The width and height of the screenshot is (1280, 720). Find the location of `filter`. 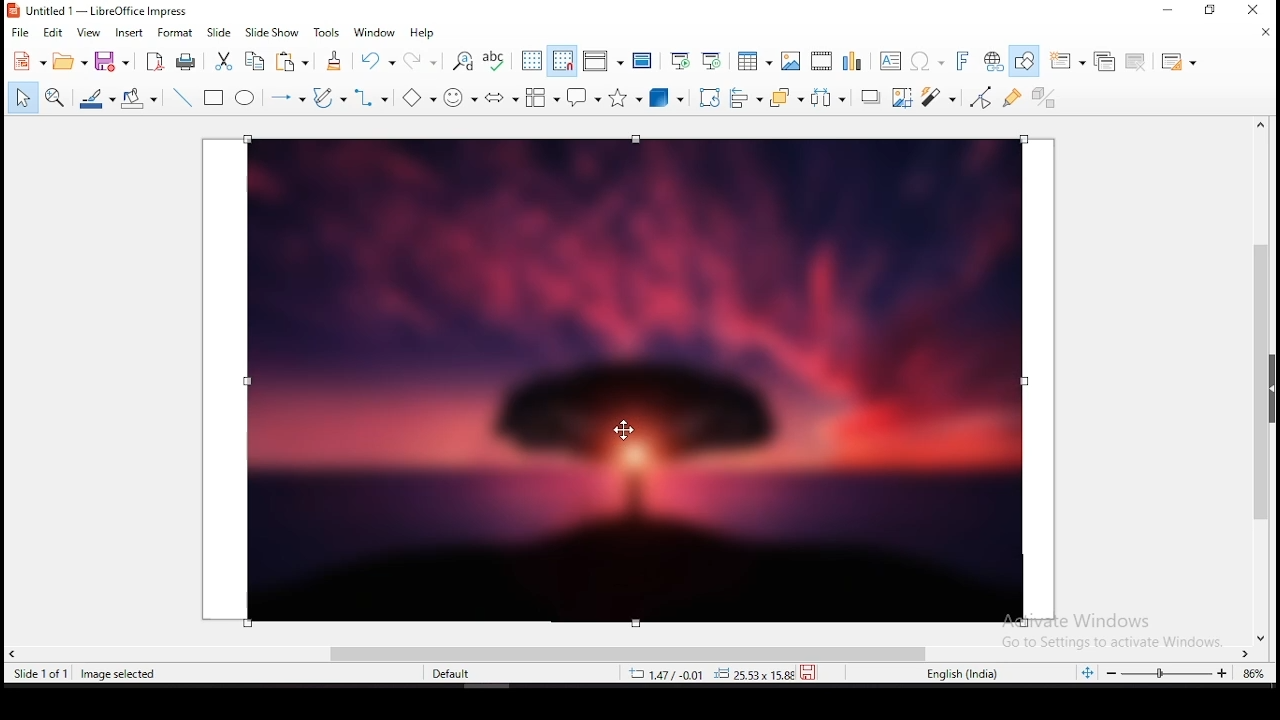

filter is located at coordinates (937, 97).